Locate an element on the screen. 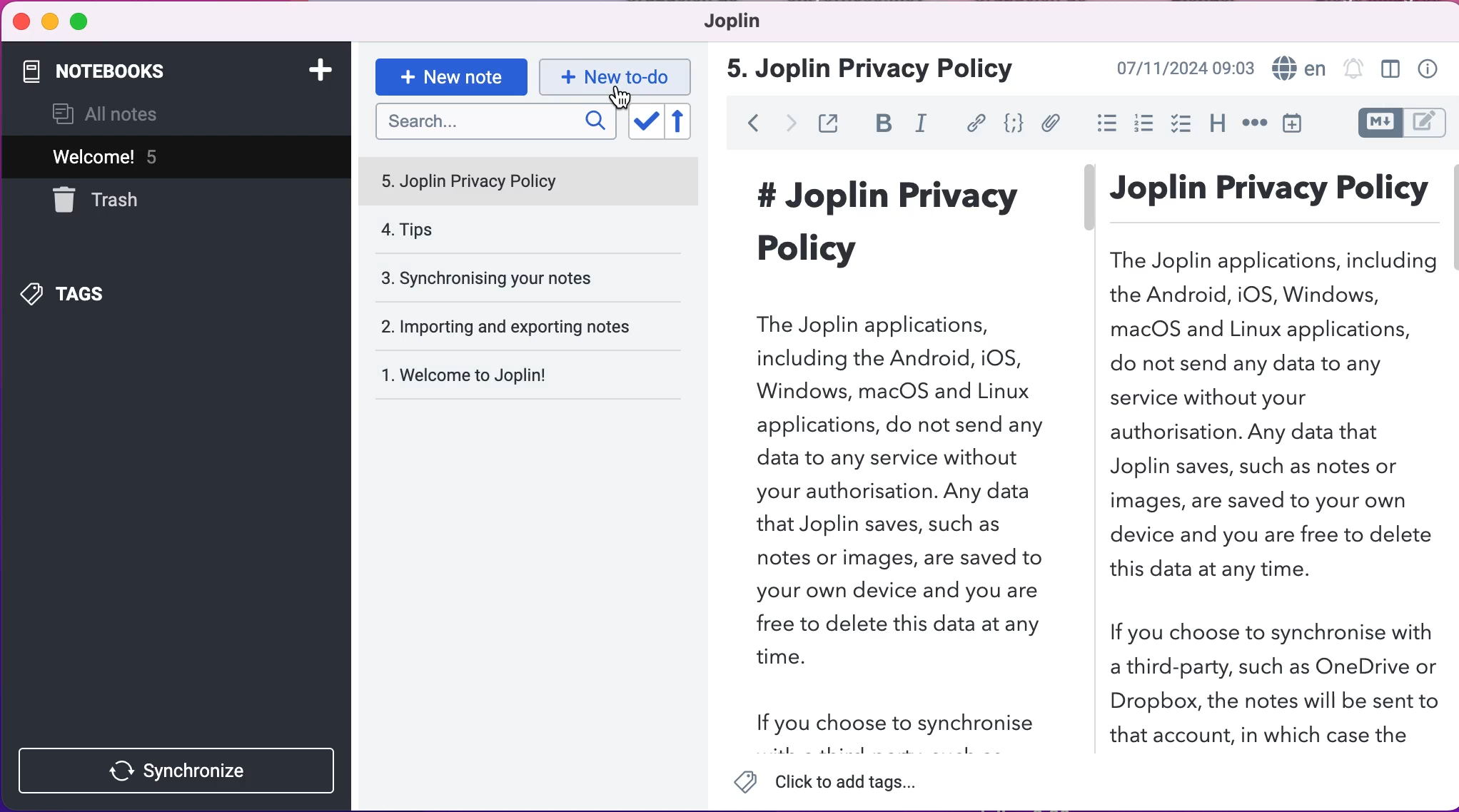 The height and width of the screenshot is (812, 1459). add notebook is located at coordinates (323, 73).